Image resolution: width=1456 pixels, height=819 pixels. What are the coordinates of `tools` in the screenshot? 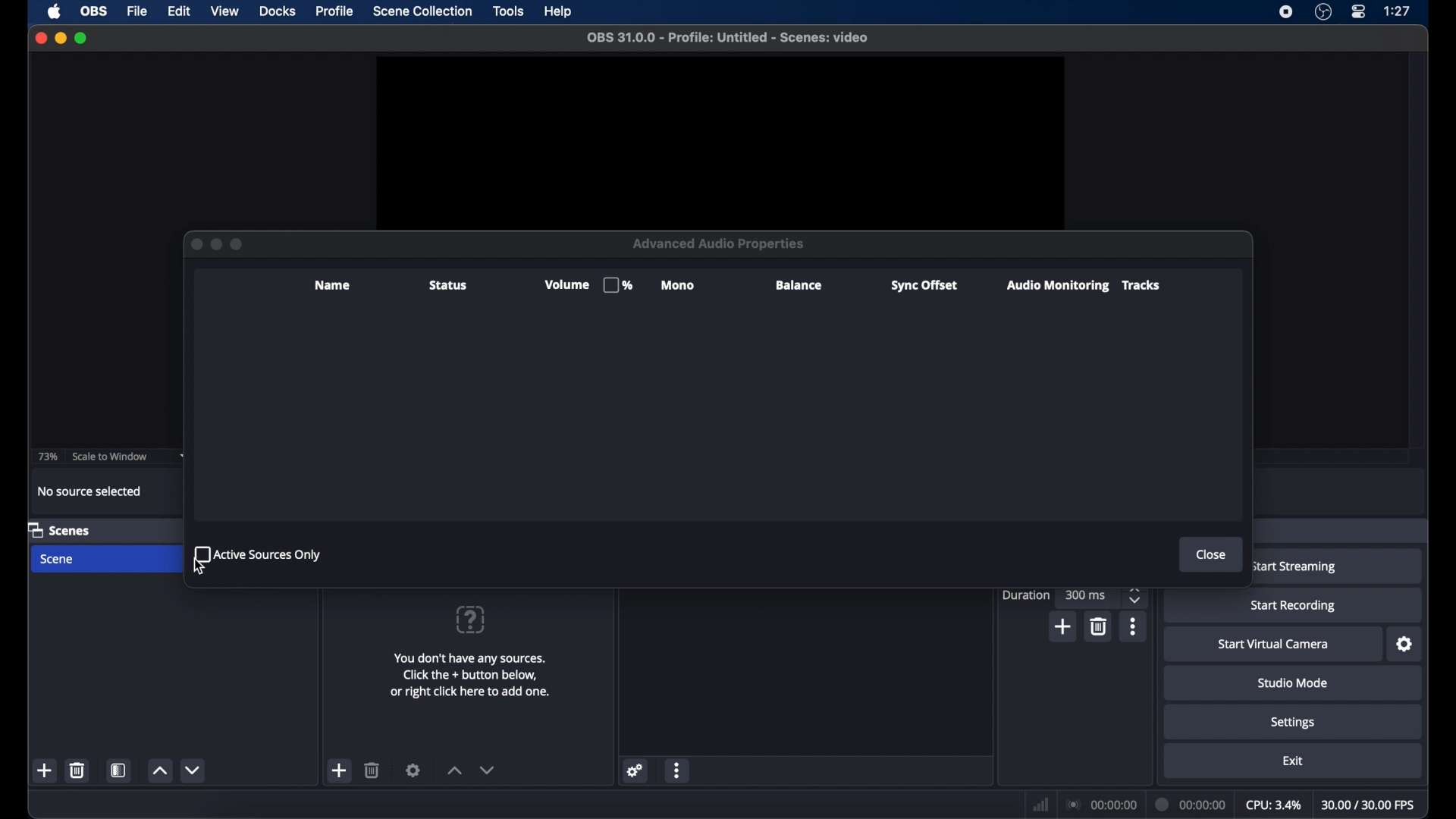 It's located at (510, 11).